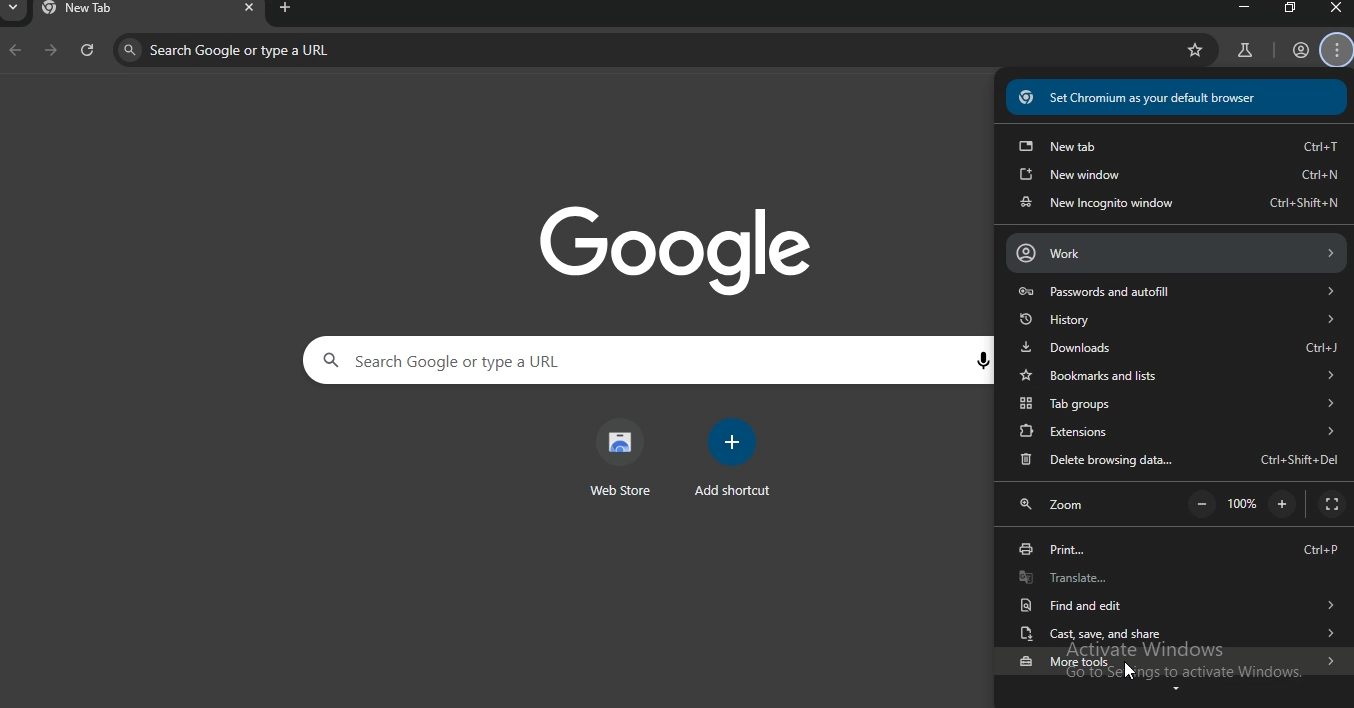 Image resolution: width=1354 pixels, height=708 pixels. What do you see at coordinates (1203, 504) in the screenshot?
I see `zoom out` at bounding box center [1203, 504].